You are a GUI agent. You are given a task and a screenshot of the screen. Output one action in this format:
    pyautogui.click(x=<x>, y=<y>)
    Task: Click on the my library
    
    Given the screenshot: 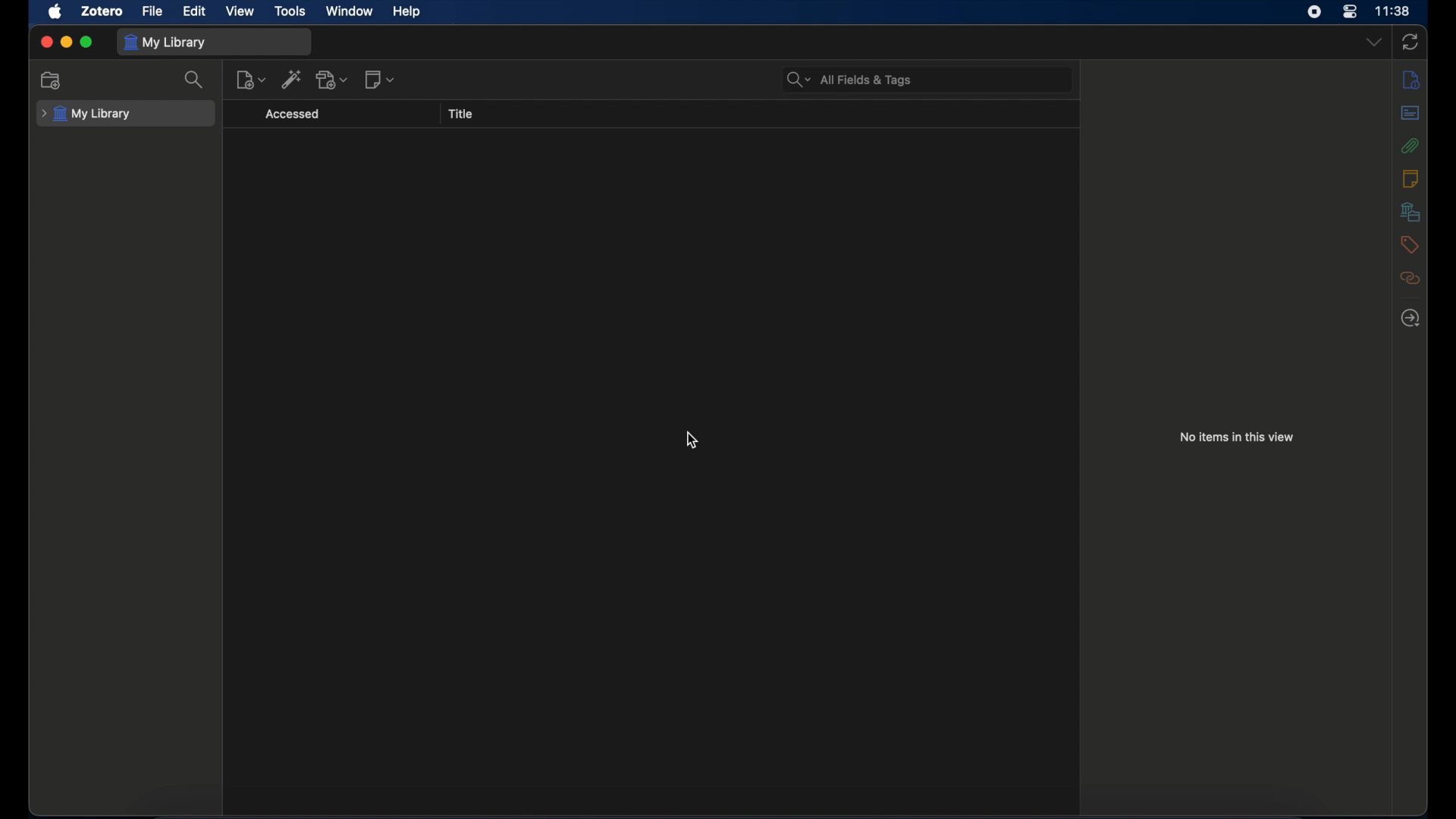 What is the action you would take?
    pyautogui.click(x=167, y=42)
    